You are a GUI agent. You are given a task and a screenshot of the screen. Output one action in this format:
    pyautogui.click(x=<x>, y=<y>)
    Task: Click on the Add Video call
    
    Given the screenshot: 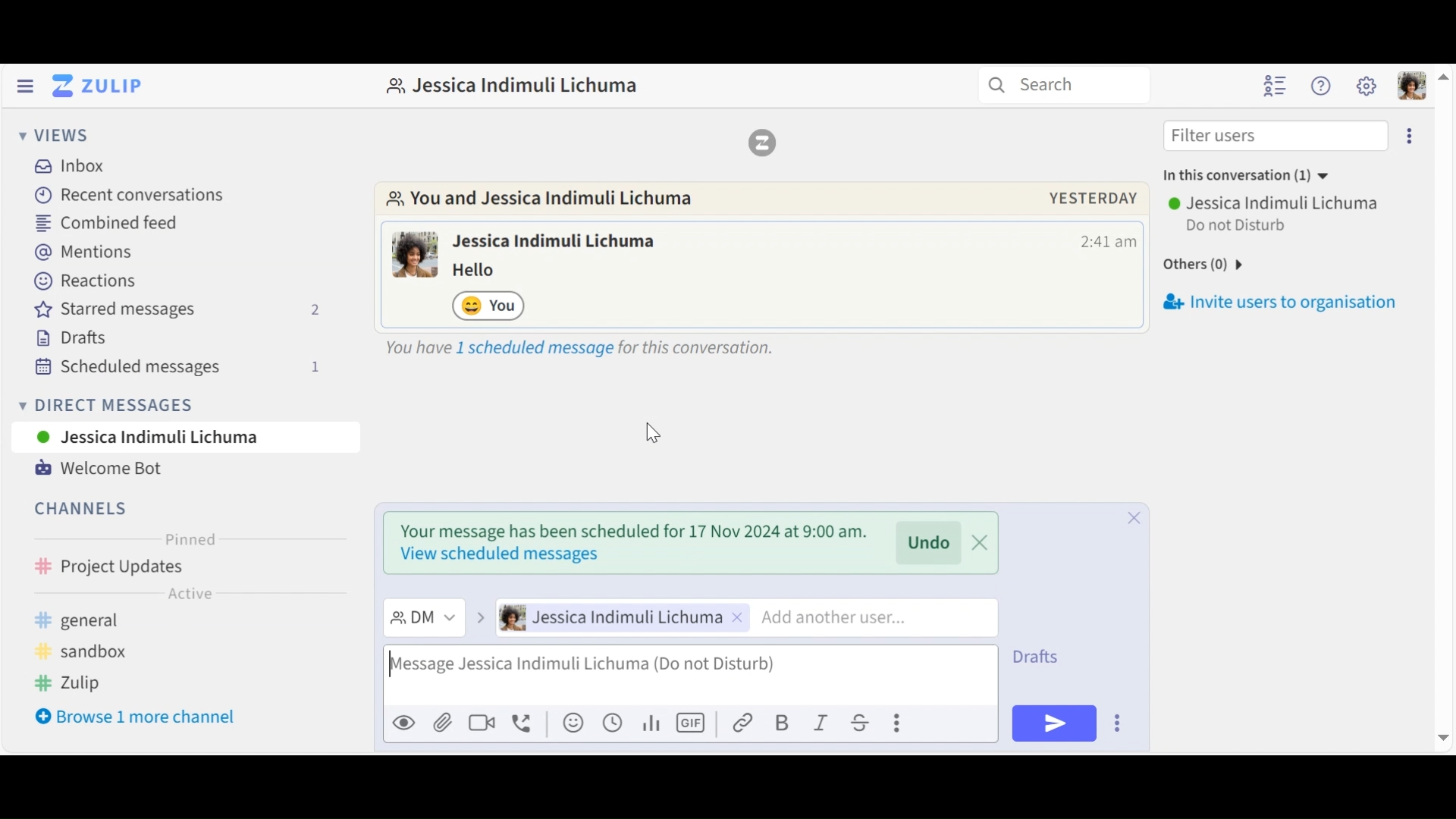 What is the action you would take?
    pyautogui.click(x=485, y=723)
    